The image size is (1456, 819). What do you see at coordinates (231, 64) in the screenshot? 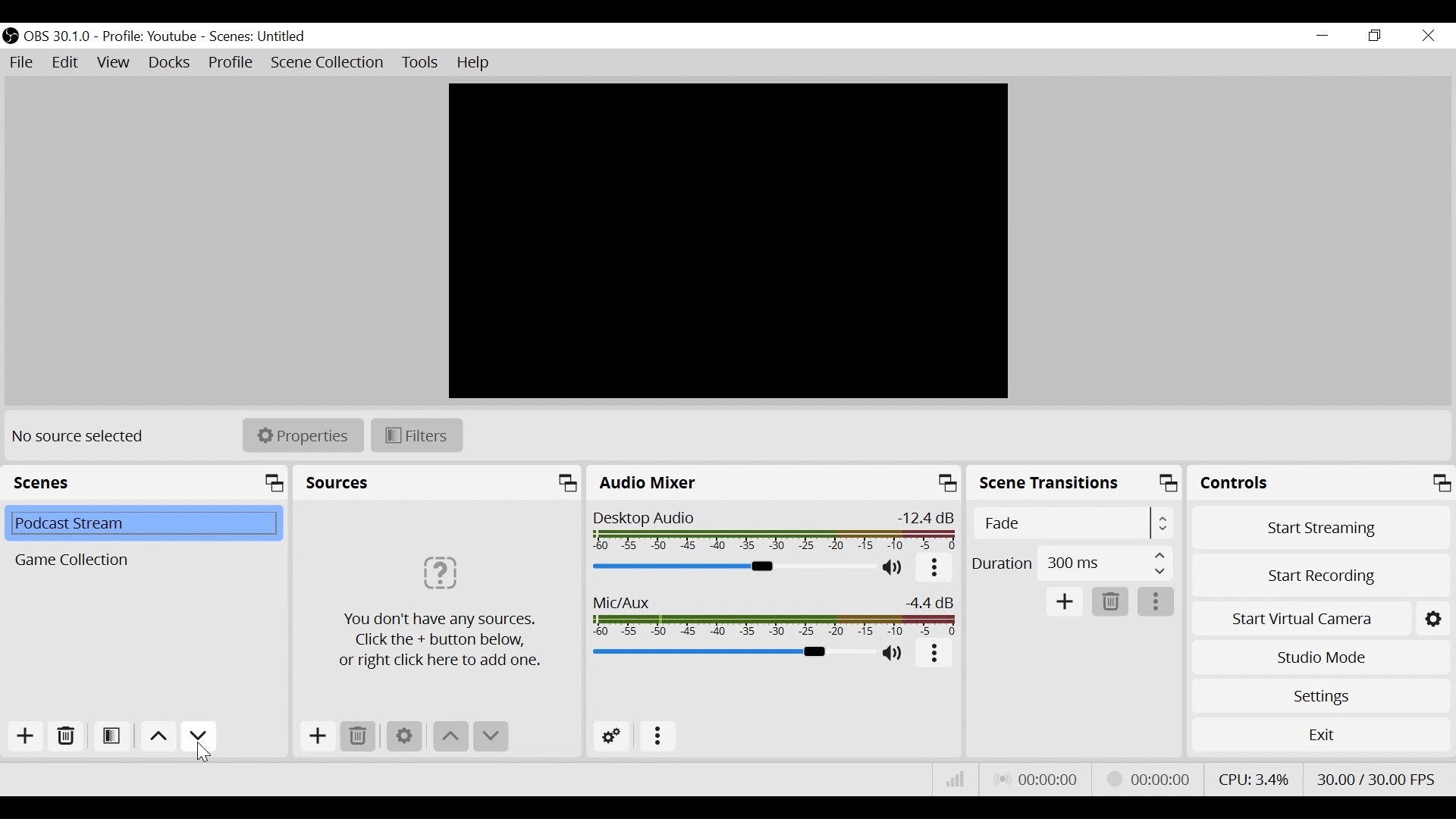
I see `Profile` at bounding box center [231, 64].